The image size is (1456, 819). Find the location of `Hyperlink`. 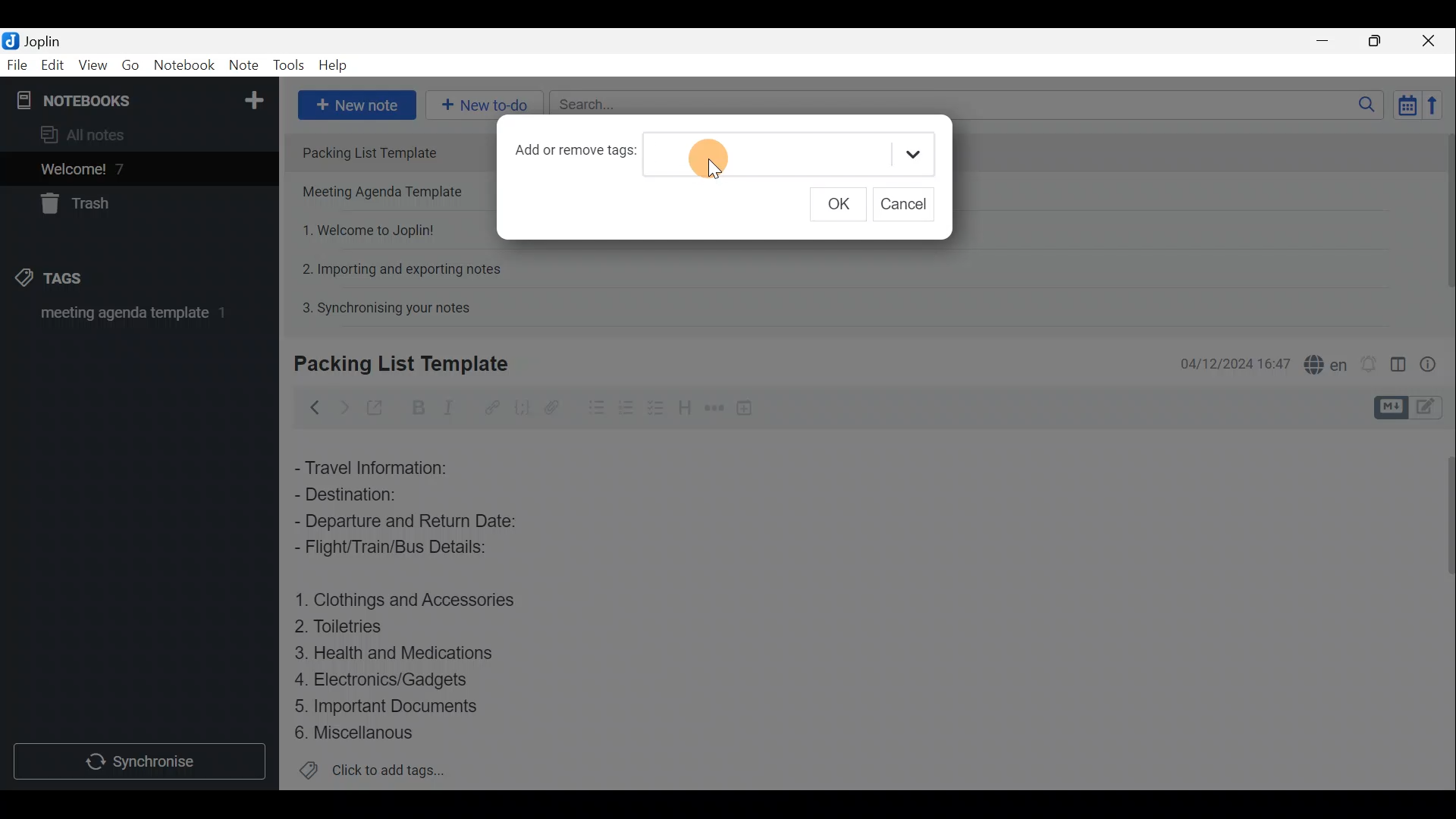

Hyperlink is located at coordinates (489, 406).